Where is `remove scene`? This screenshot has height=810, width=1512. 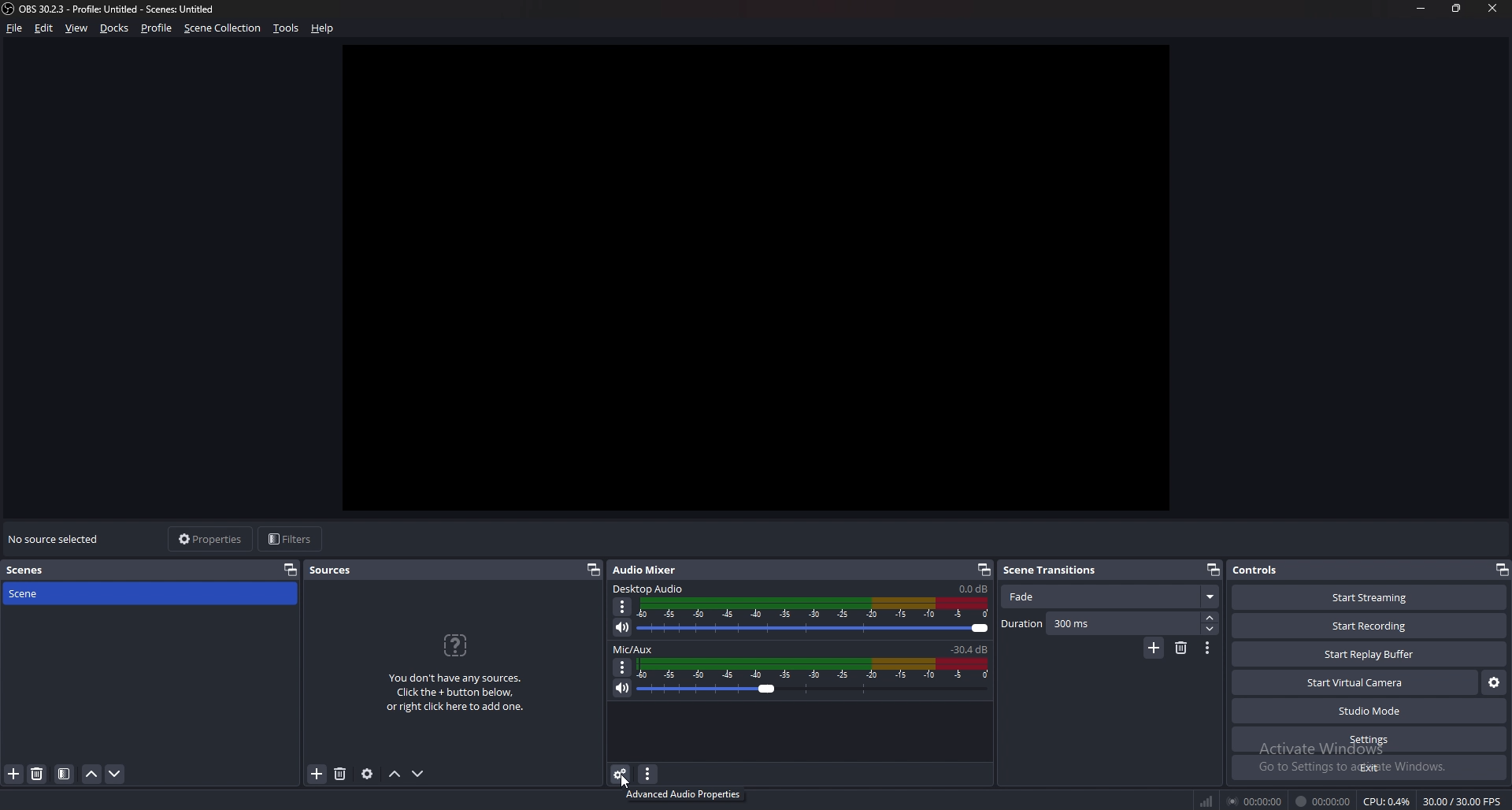
remove scene is located at coordinates (38, 775).